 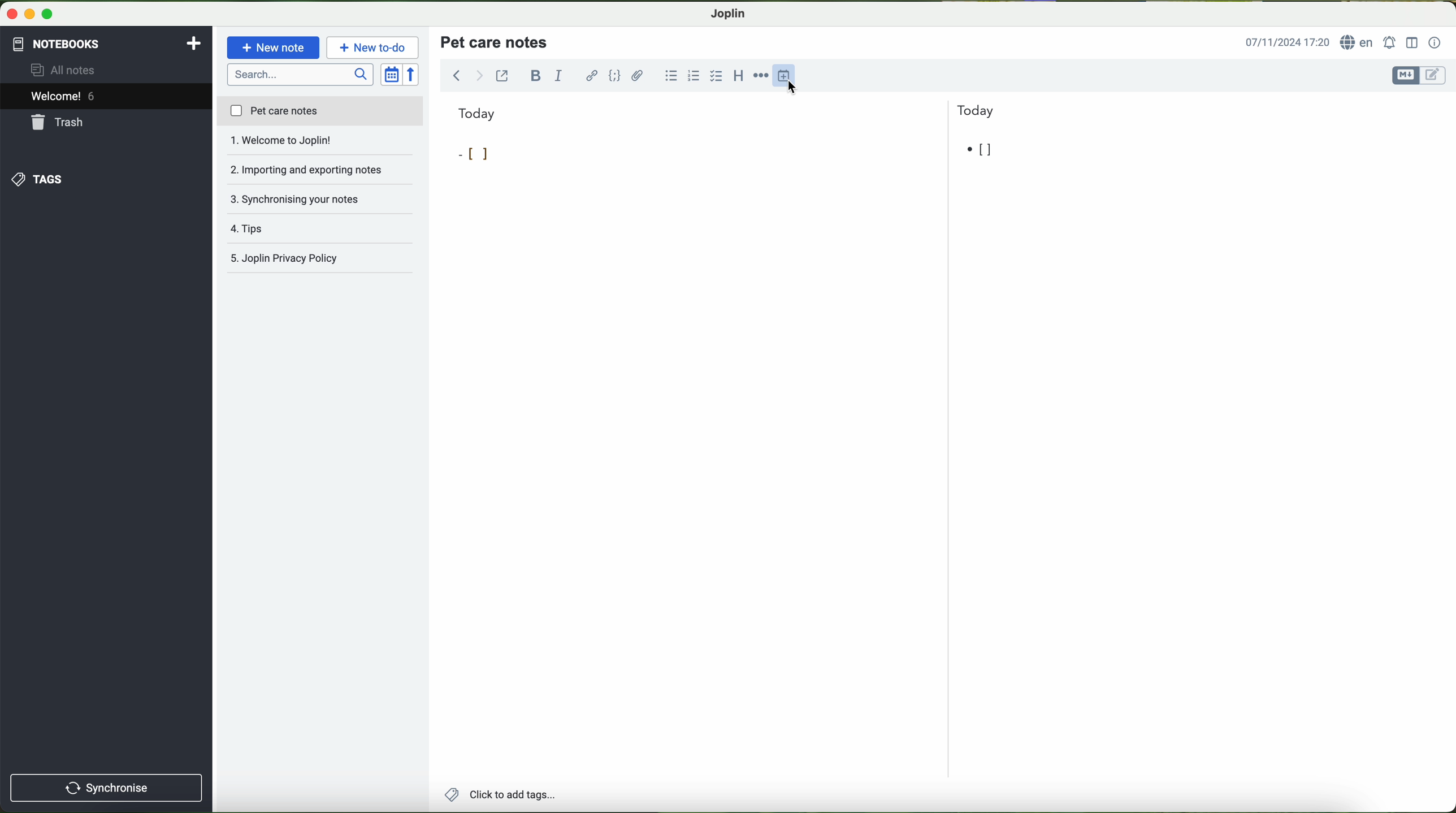 I want to click on horizontal rule, so click(x=763, y=76).